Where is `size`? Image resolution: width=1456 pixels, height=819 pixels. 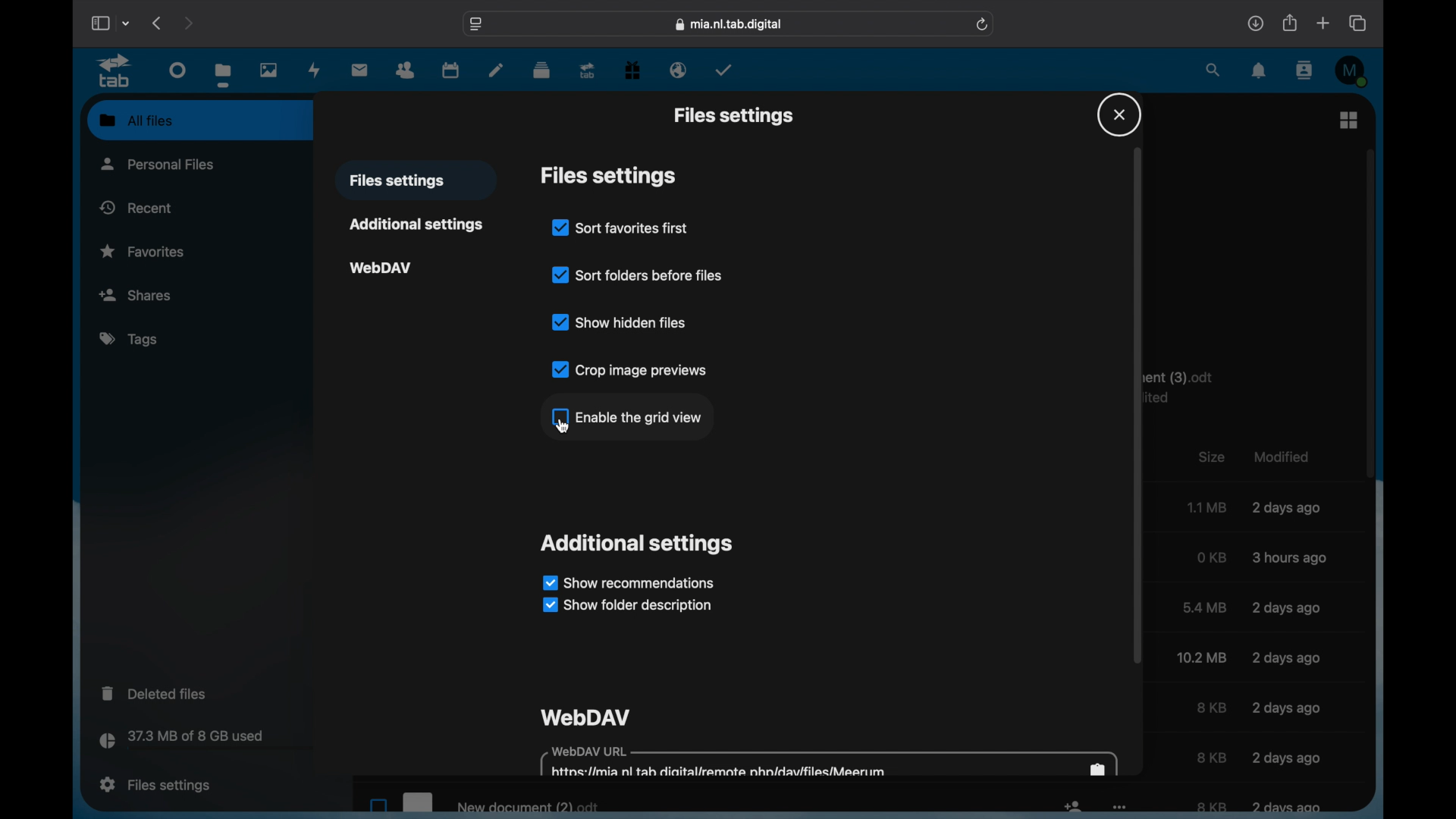
size is located at coordinates (1203, 657).